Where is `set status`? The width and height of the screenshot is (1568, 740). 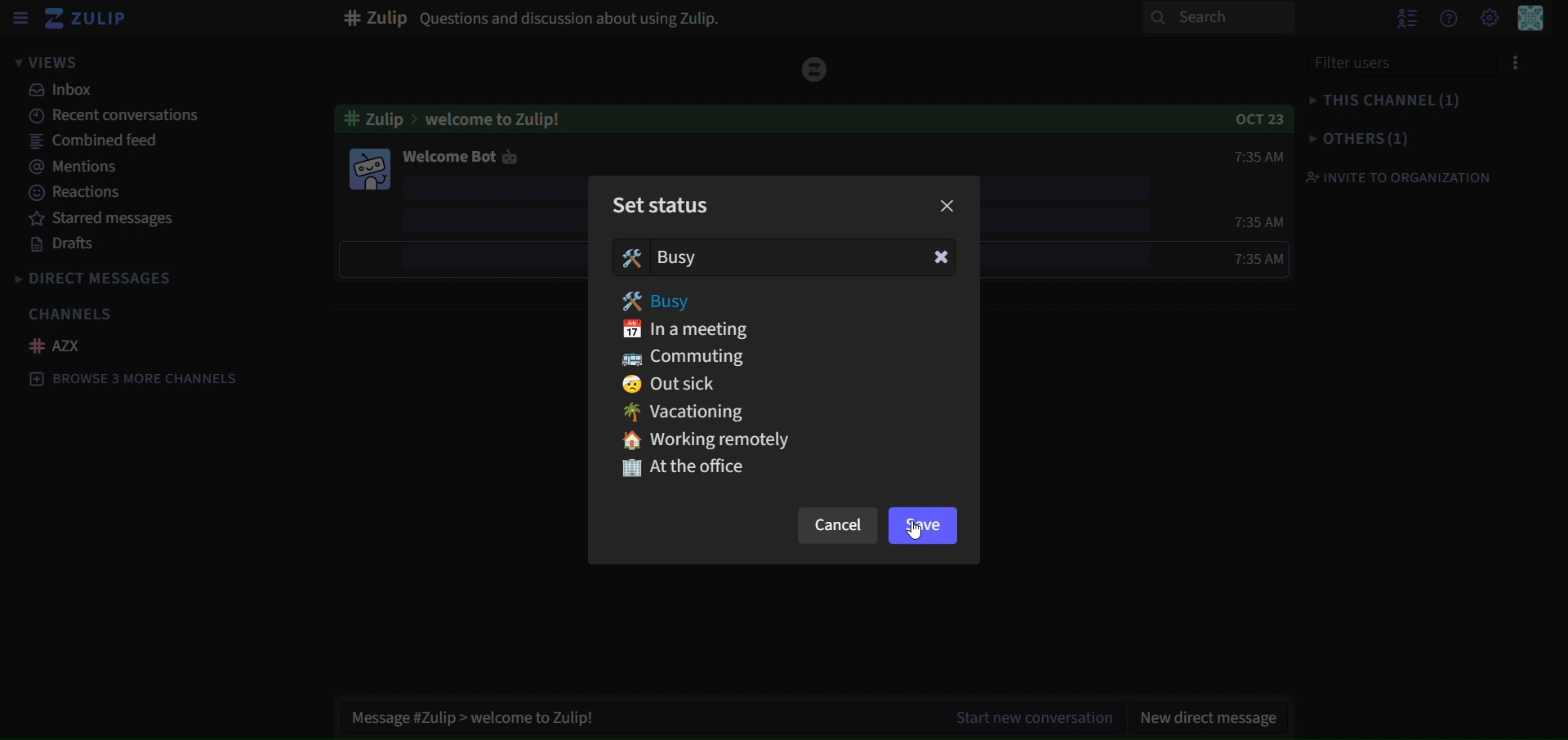
set status is located at coordinates (665, 203).